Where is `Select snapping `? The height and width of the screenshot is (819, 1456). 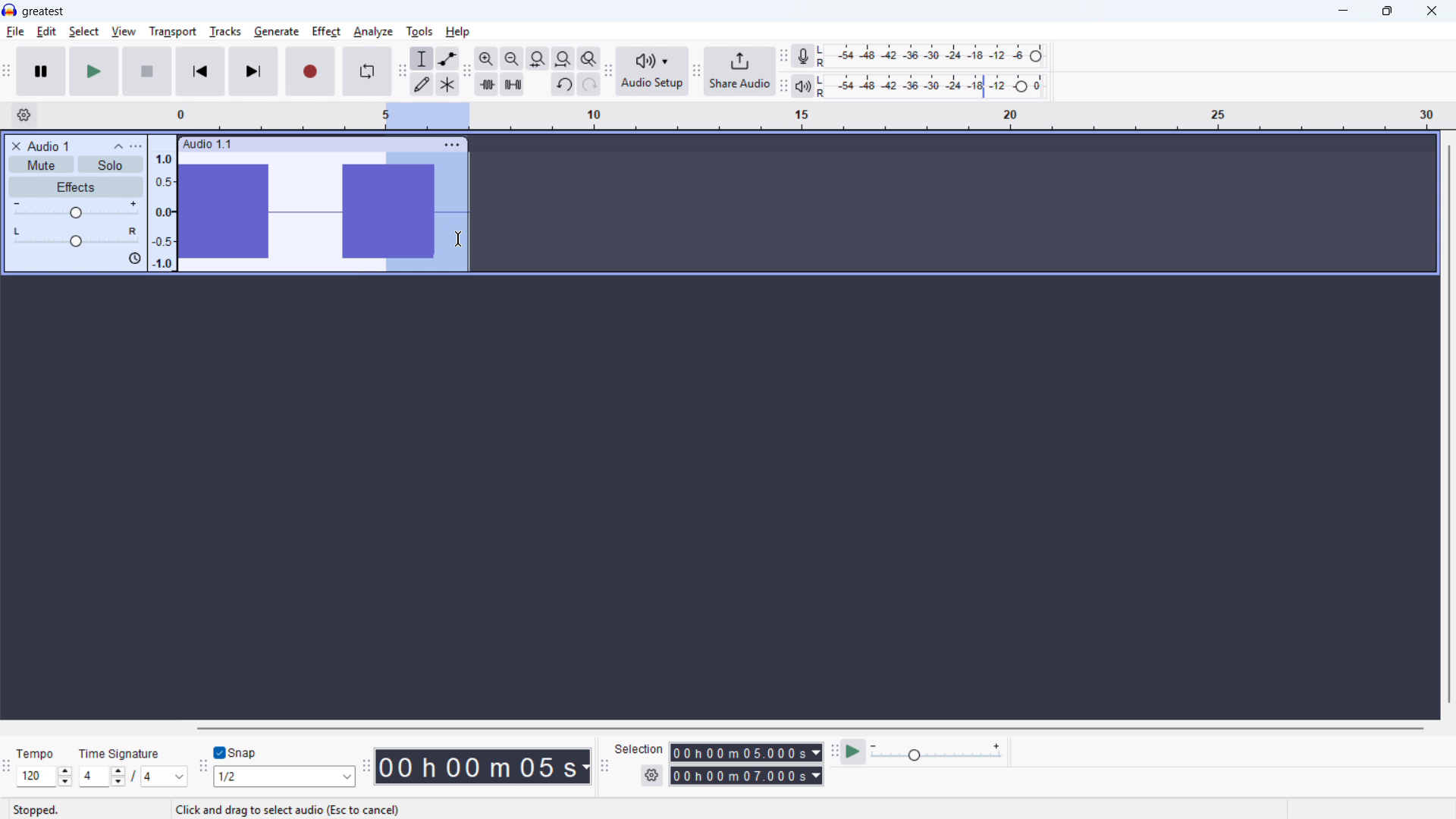 Select snapping  is located at coordinates (284, 776).